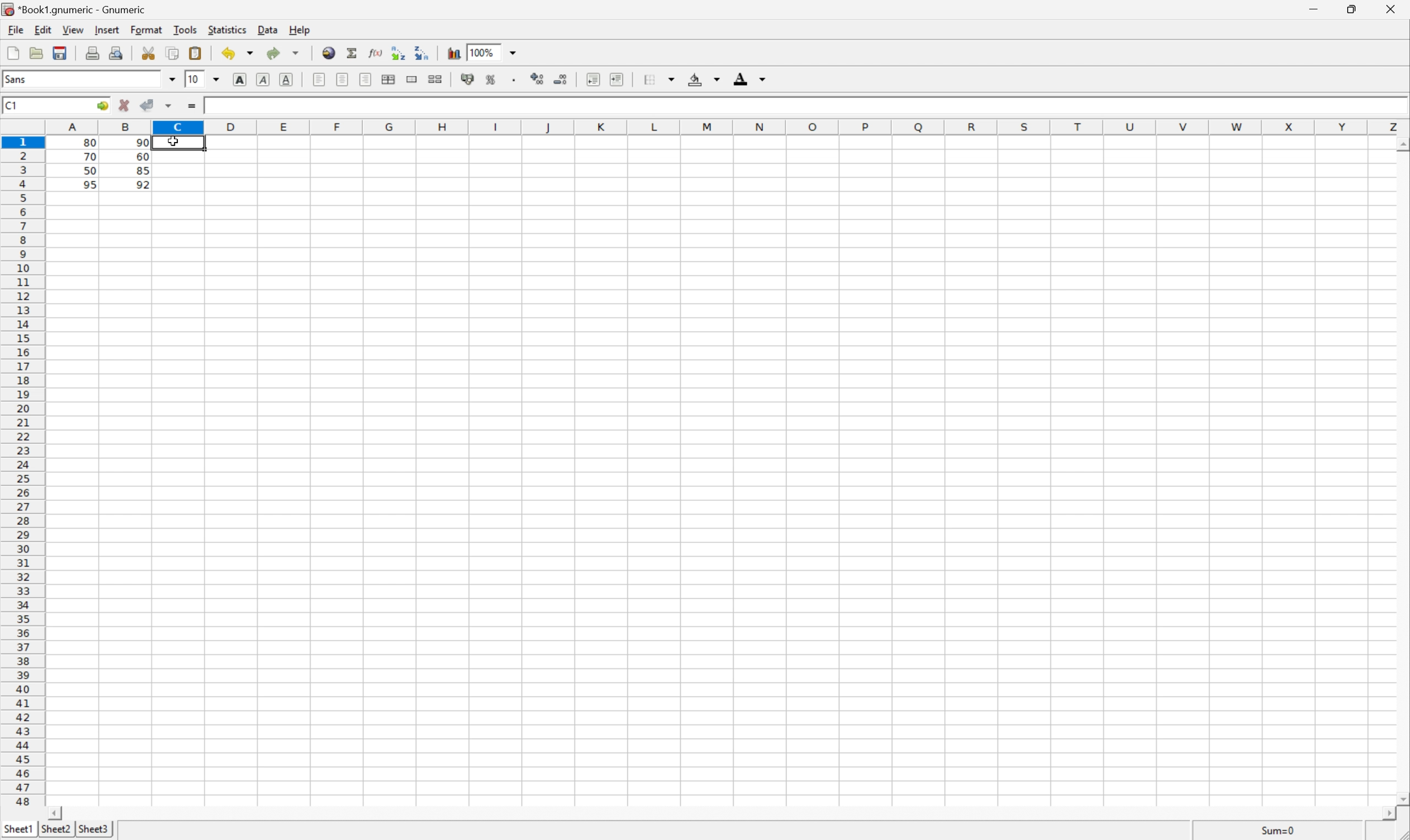 The height and width of the screenshot is (840, 1410). What do you see at coordinates (142, 143) in the screenshot?
I see `90` at bounding box center [142, 143].